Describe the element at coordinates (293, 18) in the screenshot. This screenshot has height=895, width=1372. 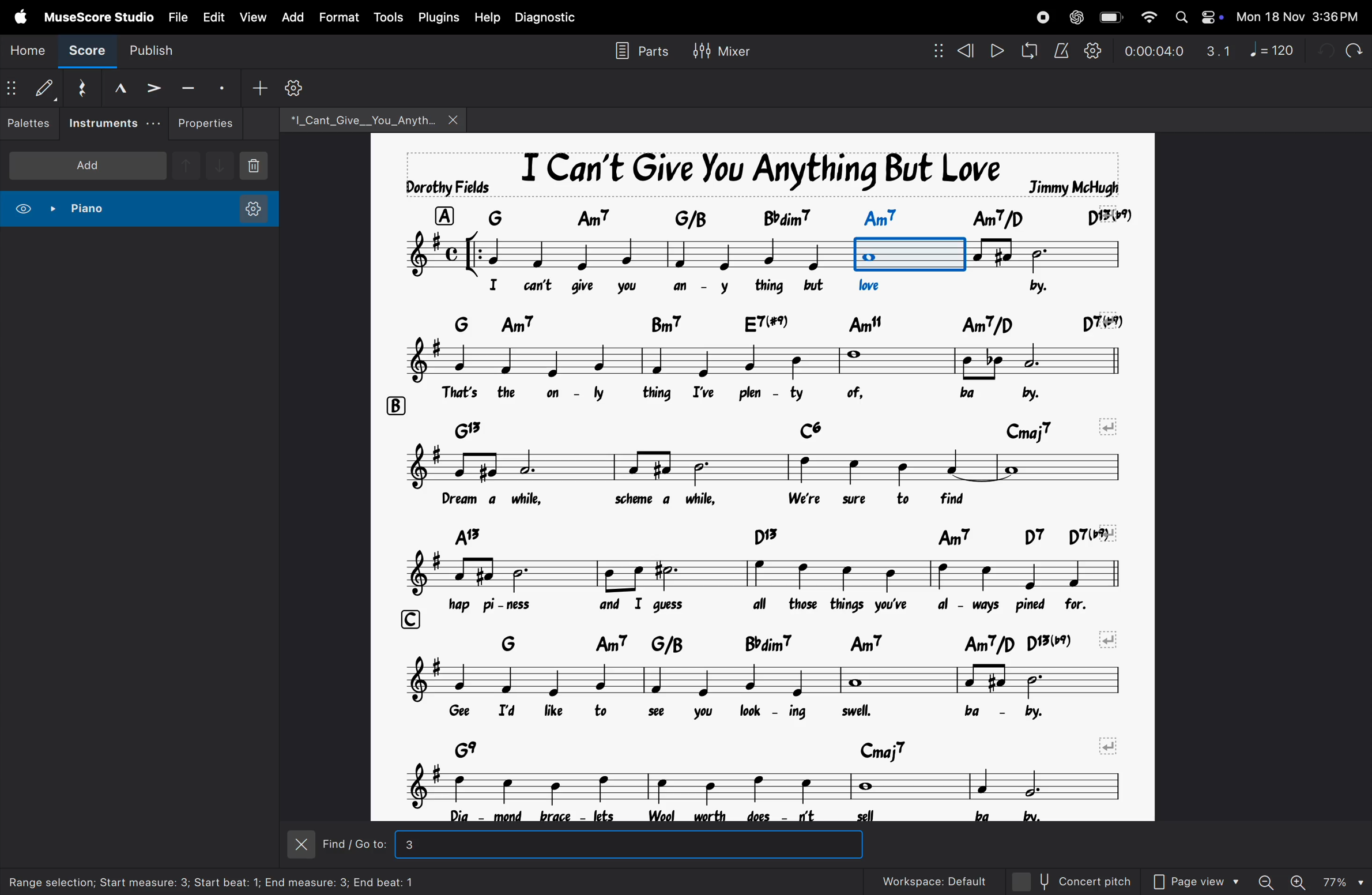
I see `add` at that location.